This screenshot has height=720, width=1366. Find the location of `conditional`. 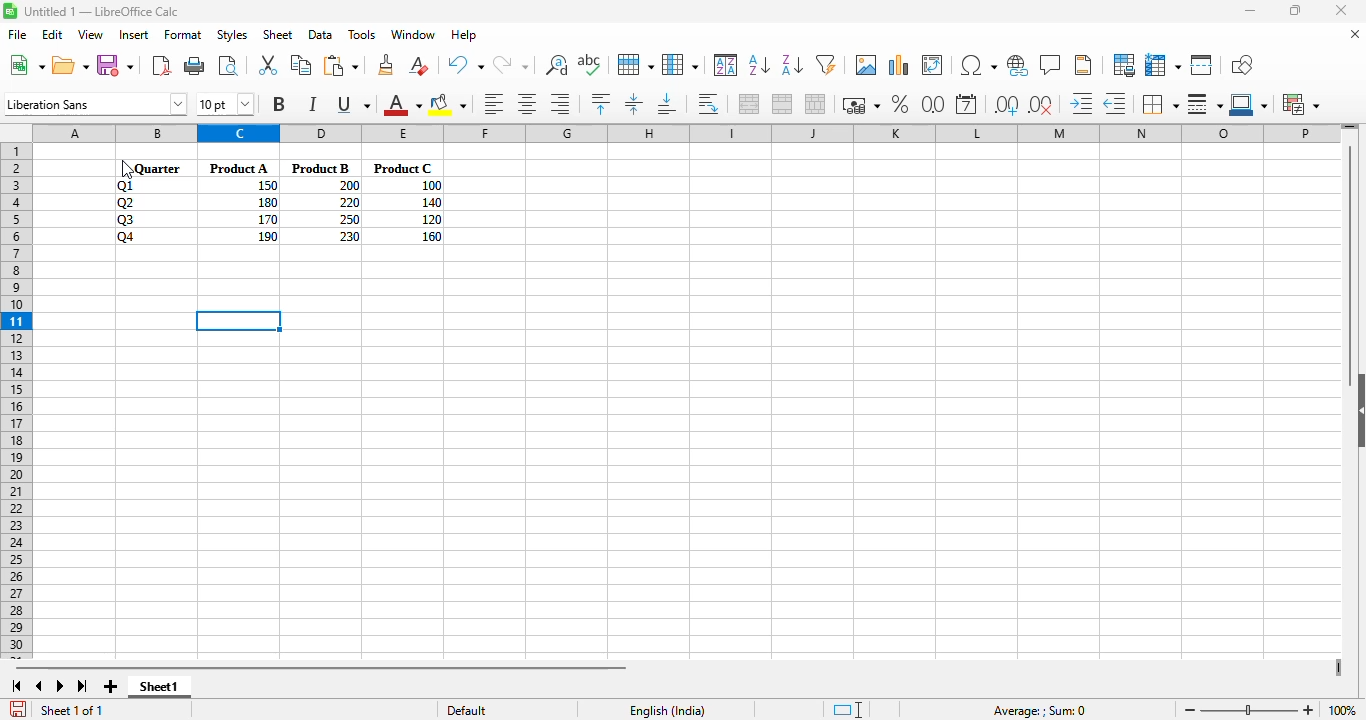

conditional is located at coordinates (1300, 104).